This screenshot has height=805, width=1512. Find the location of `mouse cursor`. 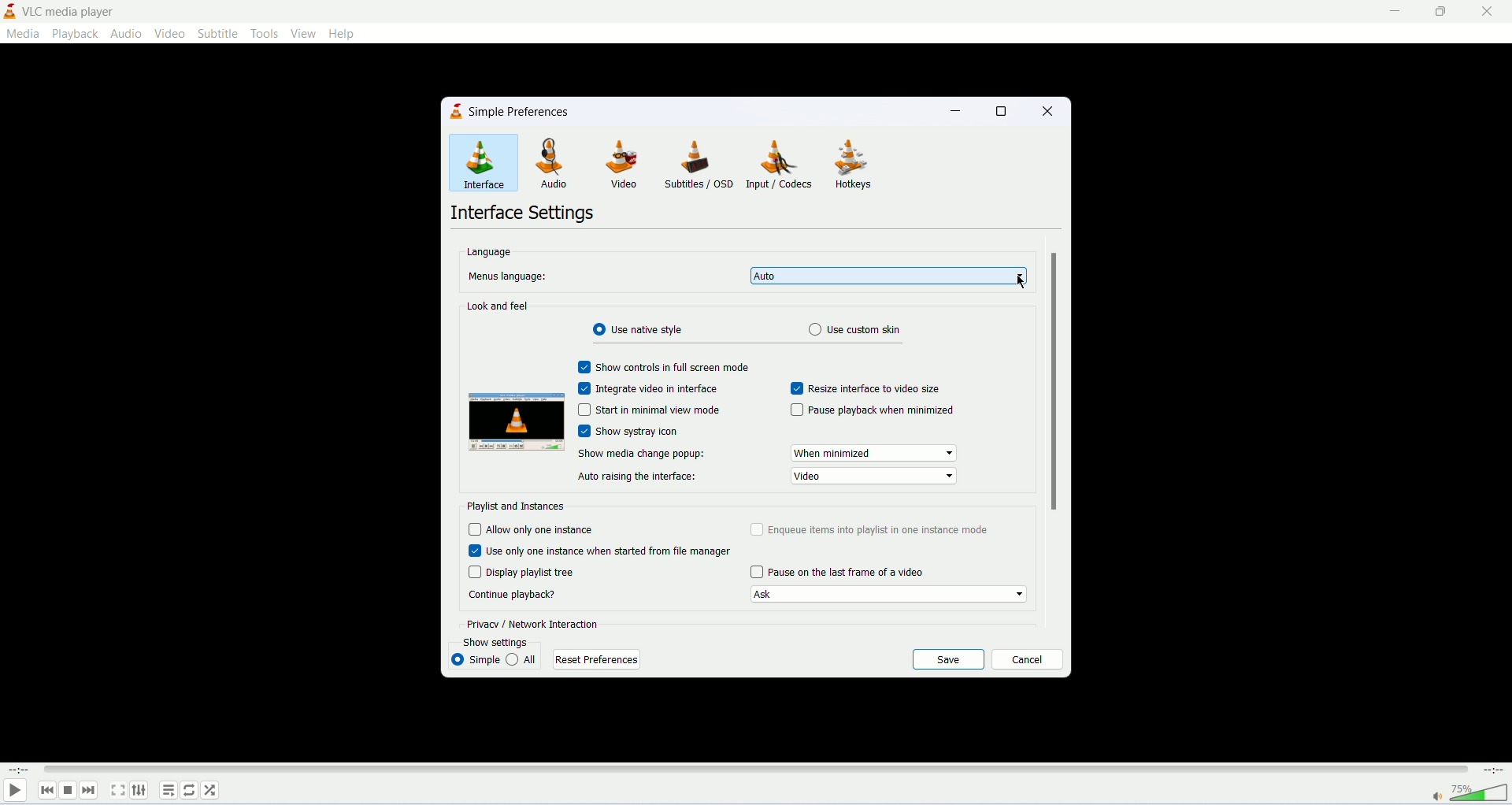

mouse cursor is located at coordinates (1022, 280).